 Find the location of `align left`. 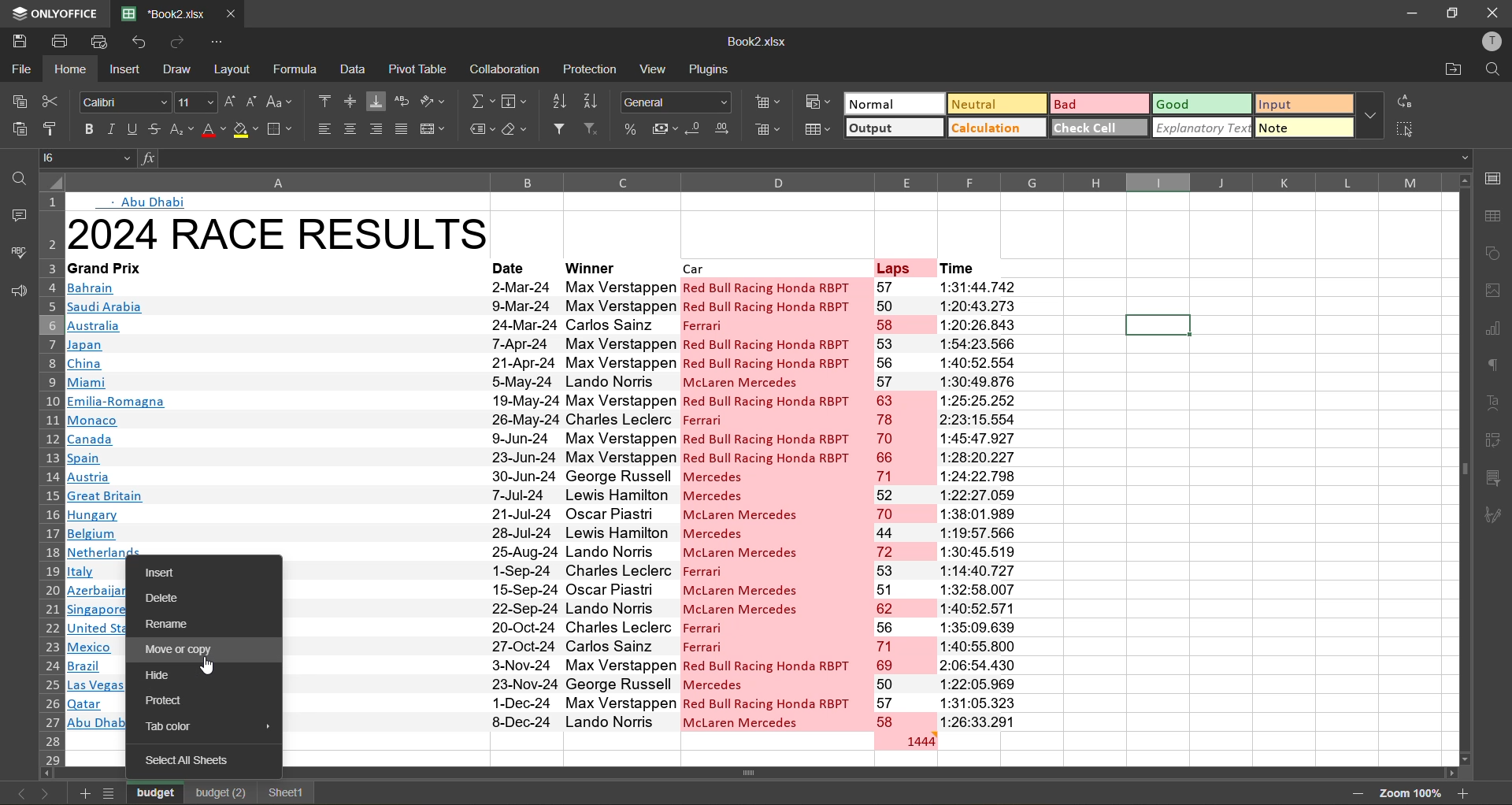

align left is located at coordinates (326, 128).